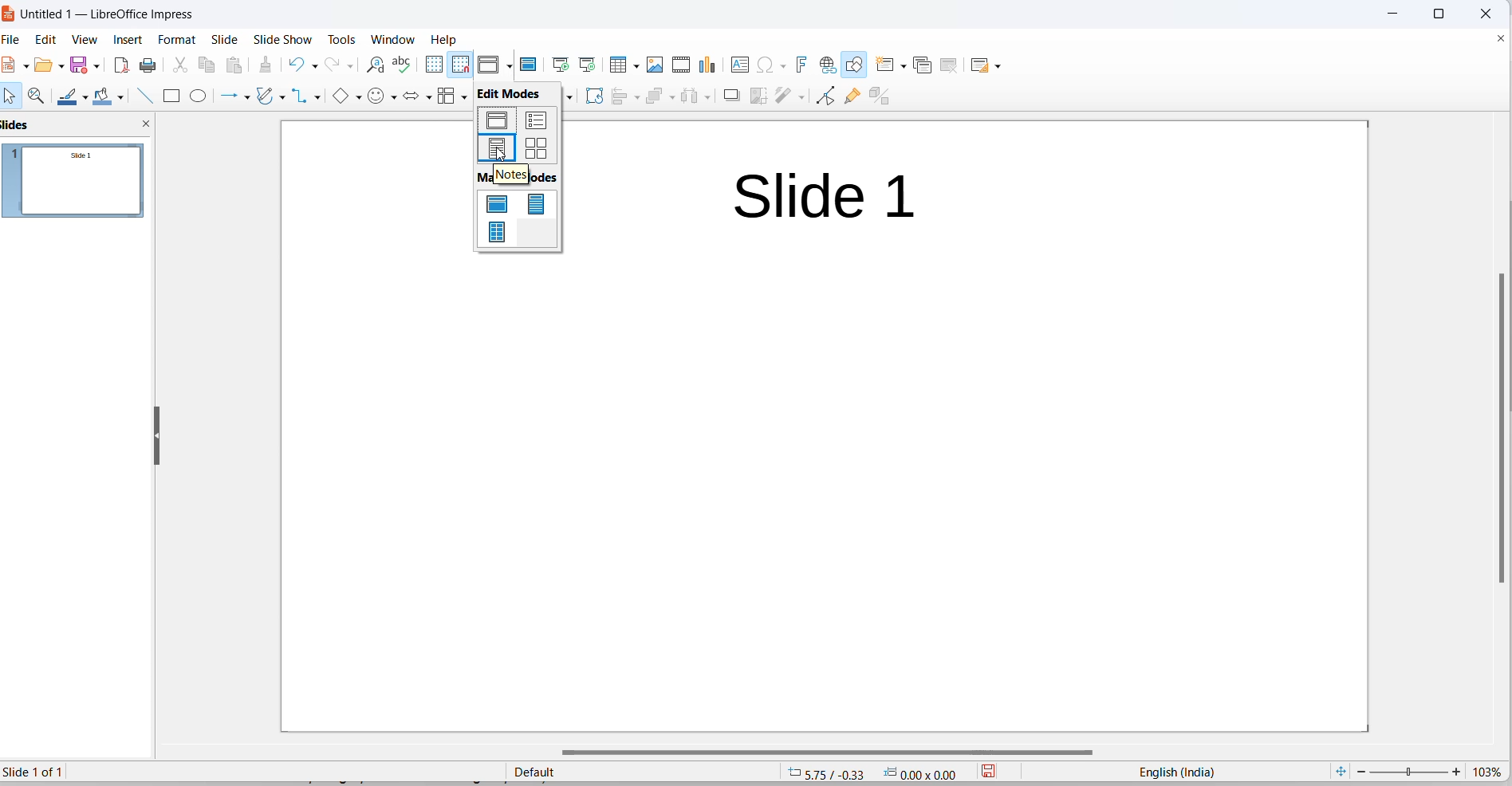 The image size is (1512, 786). Describe the element at coordinates (267, 65) in the screenshot. I see `clone formatting` at that location.